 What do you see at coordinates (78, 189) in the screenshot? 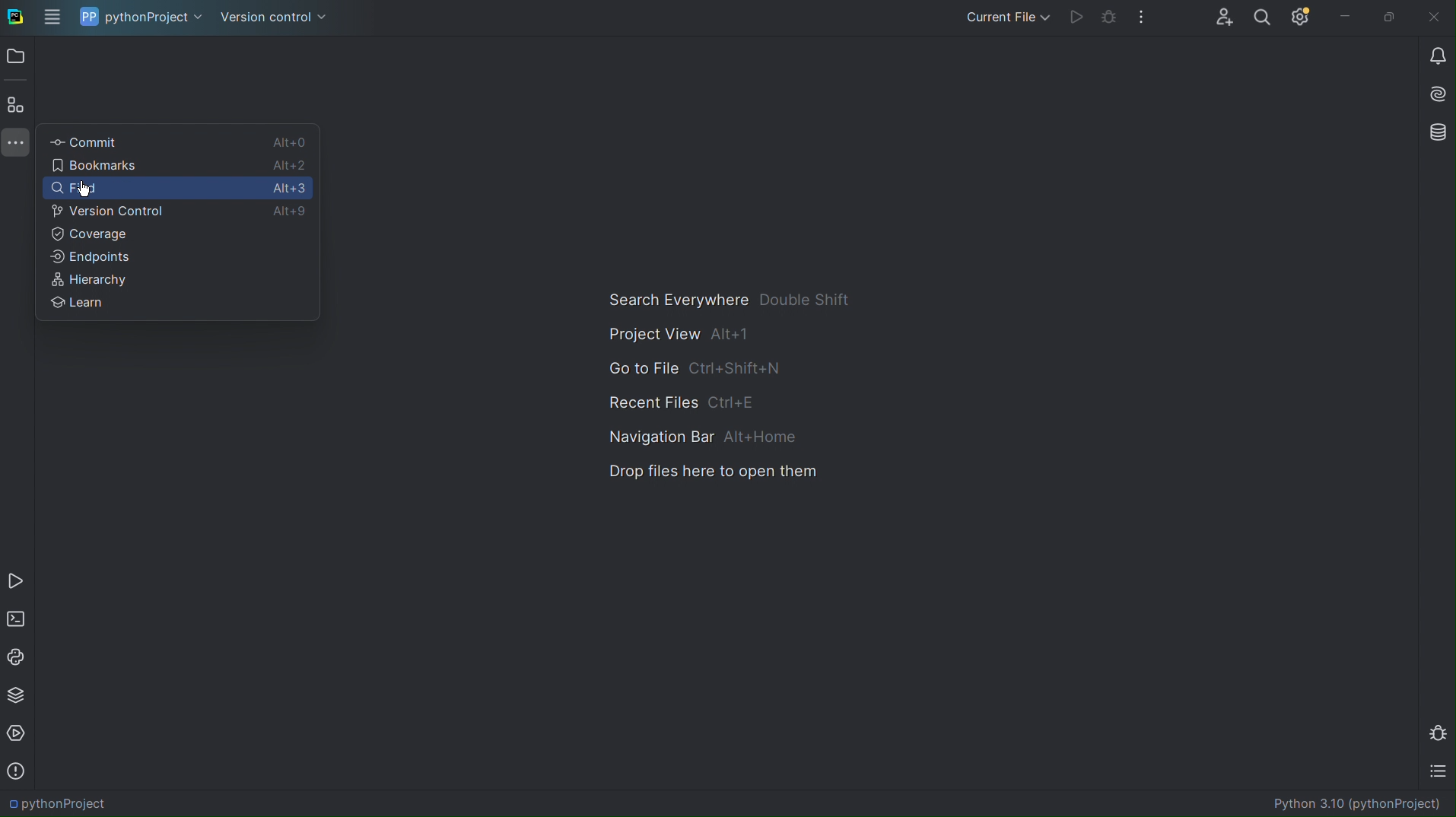
I see `Find` at bounding box center [78, 189].